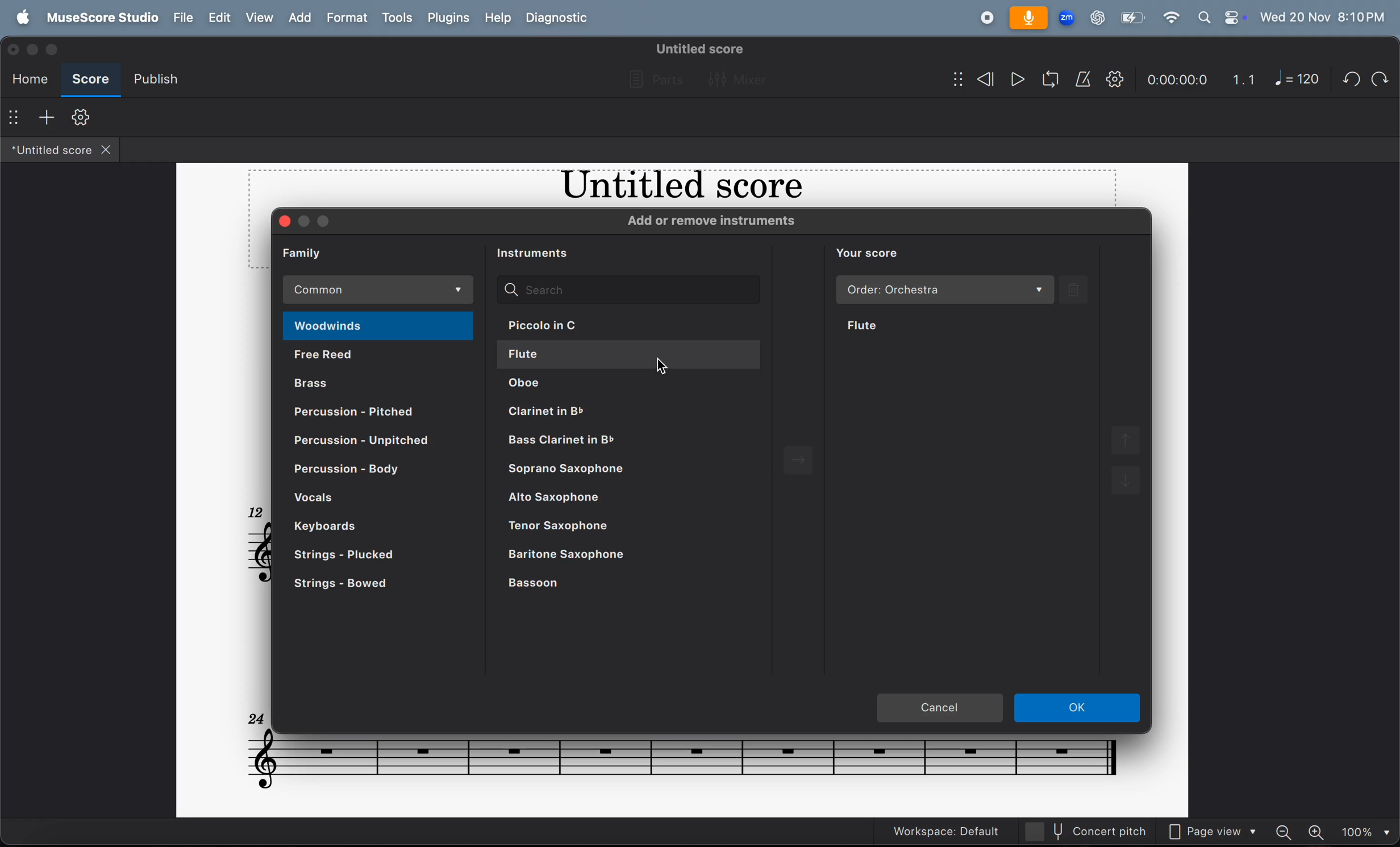 The width and height of the screenshot is (1400, 847). Describe the element at coordinates (1080, 290) in the screenshot. I see `delete` at that location.